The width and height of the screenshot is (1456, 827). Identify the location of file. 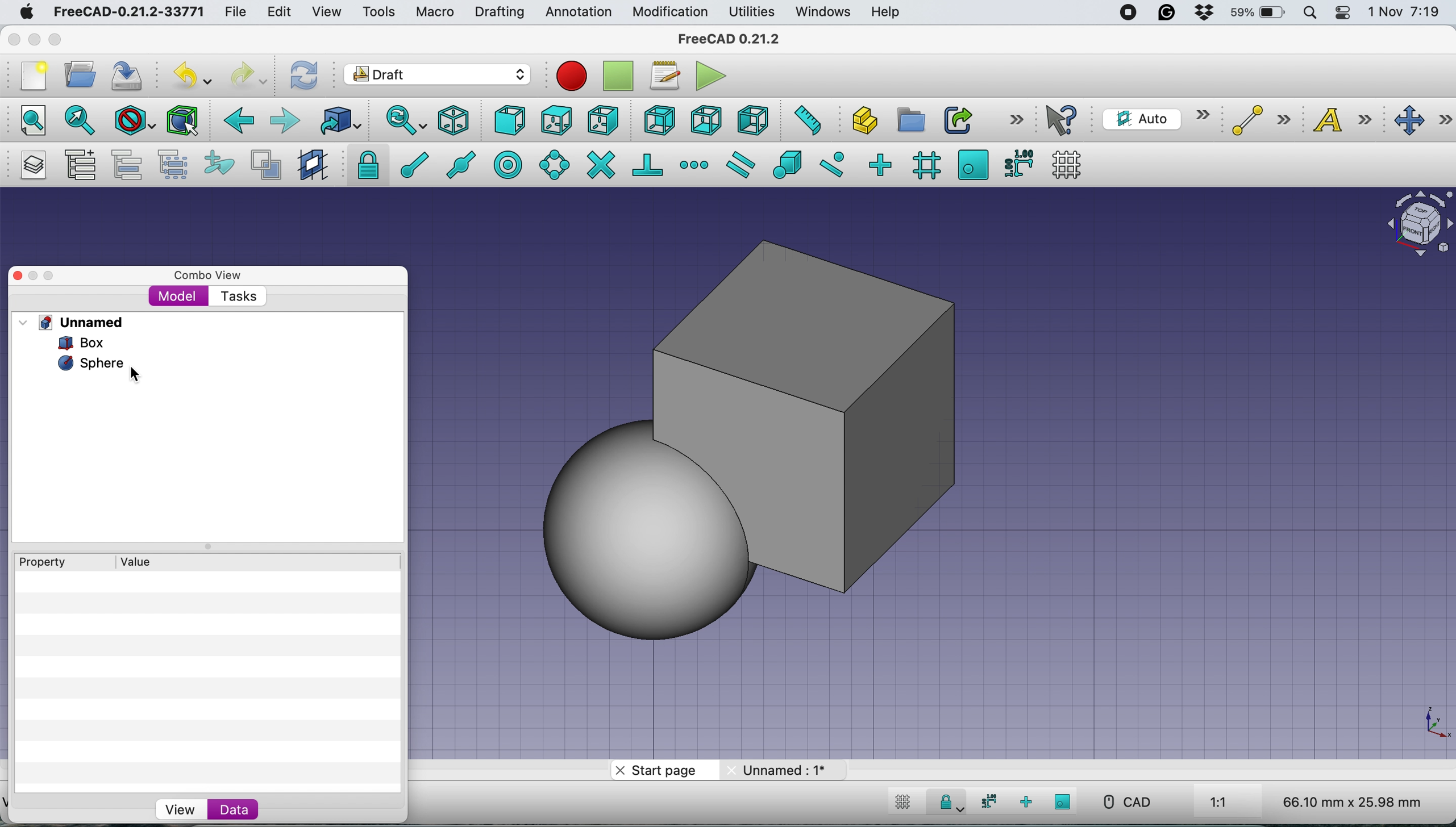
(235, 12).